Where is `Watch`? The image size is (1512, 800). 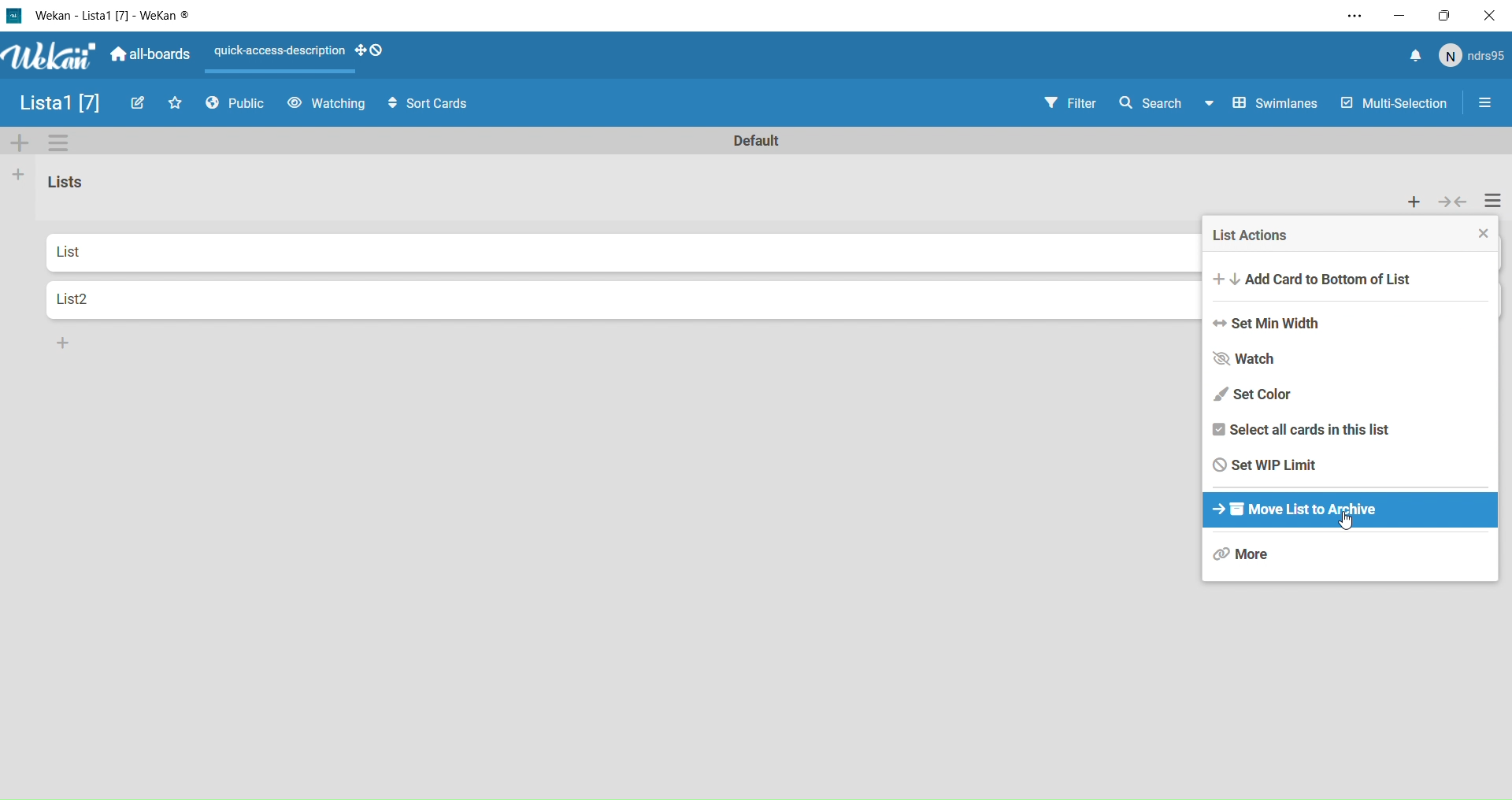
Watch is located at coordinates (1244, 358).